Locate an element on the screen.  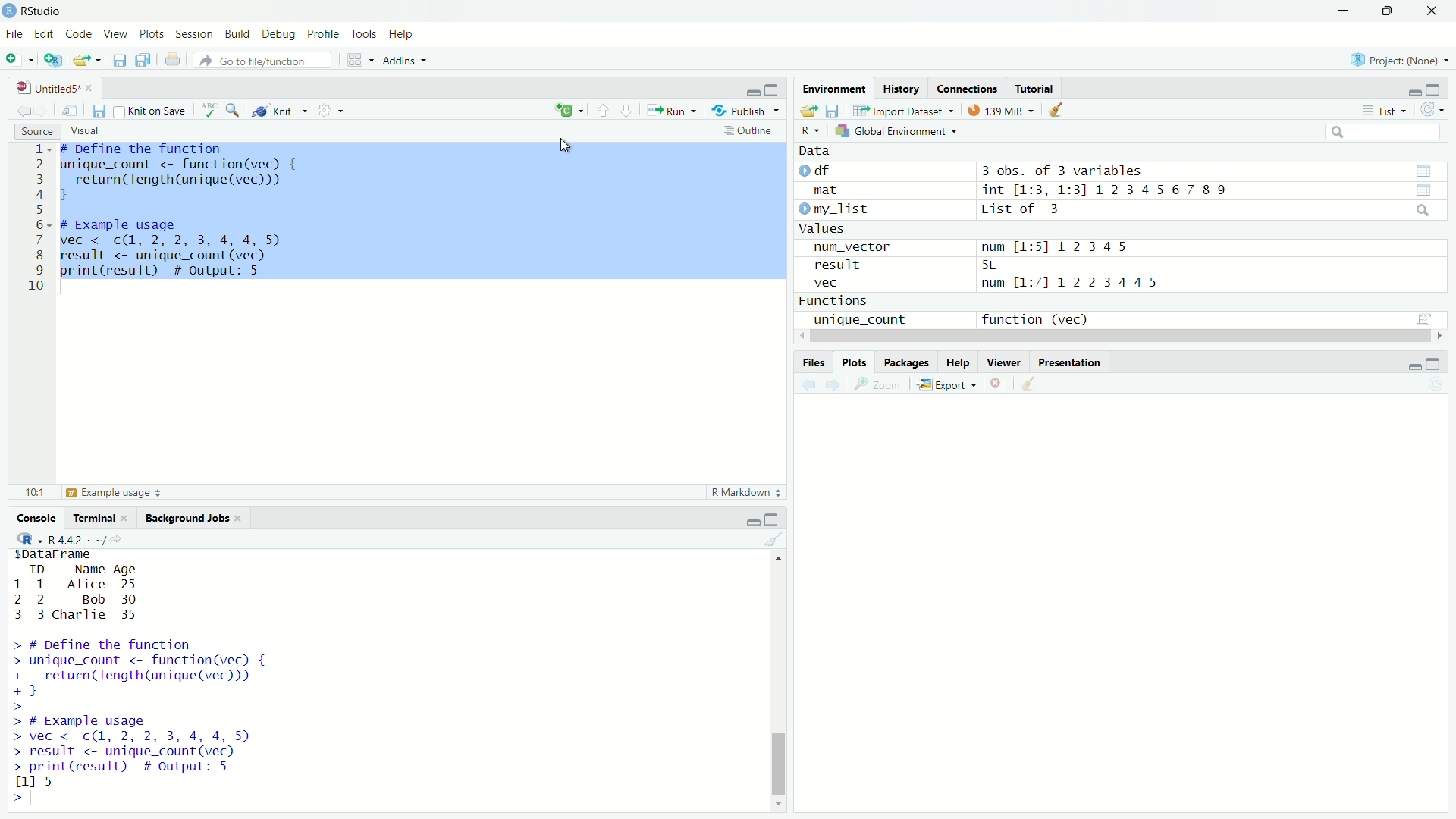
clear all plots is located at coordinates (1032, 384).